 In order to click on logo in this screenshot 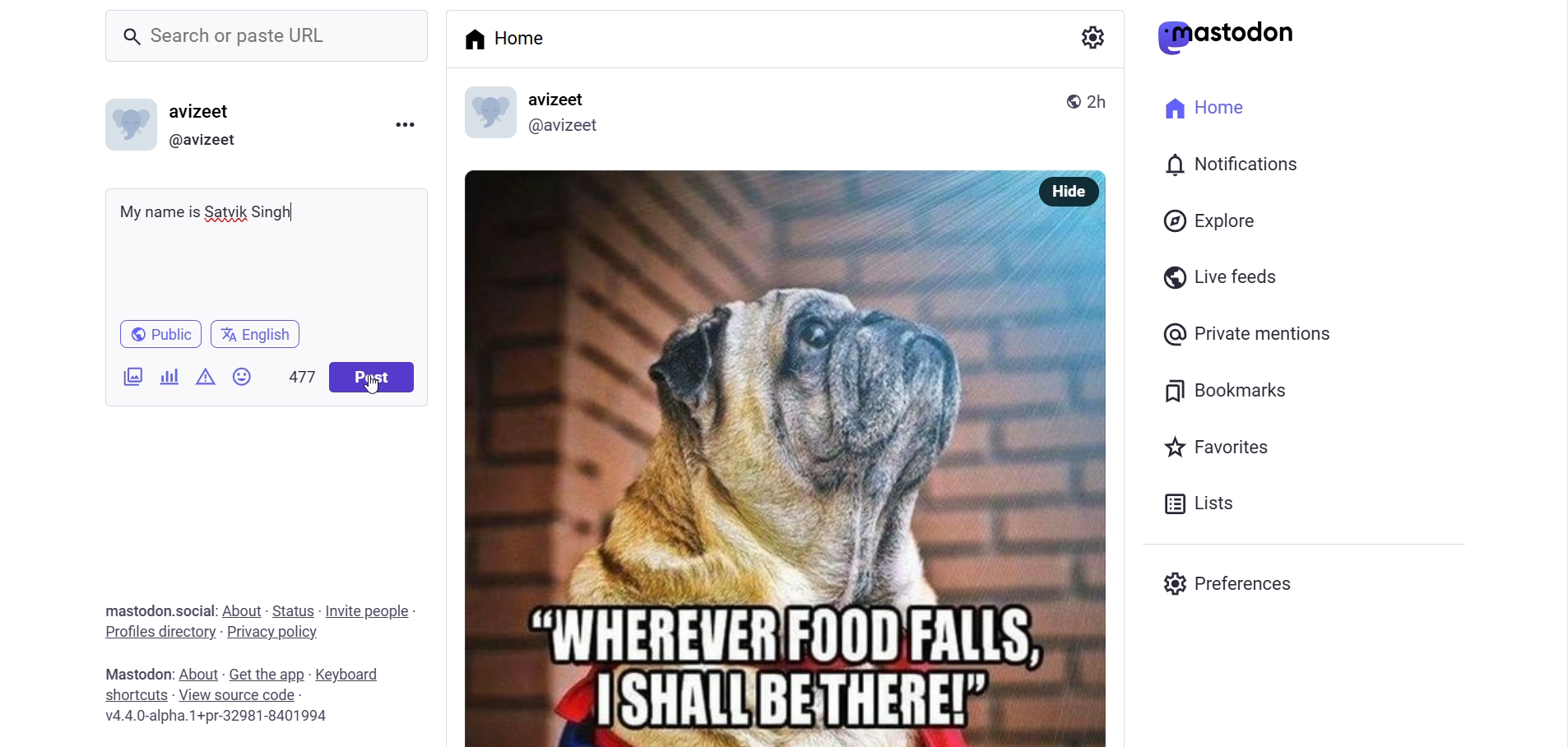, I will do `click(490, 110)`.